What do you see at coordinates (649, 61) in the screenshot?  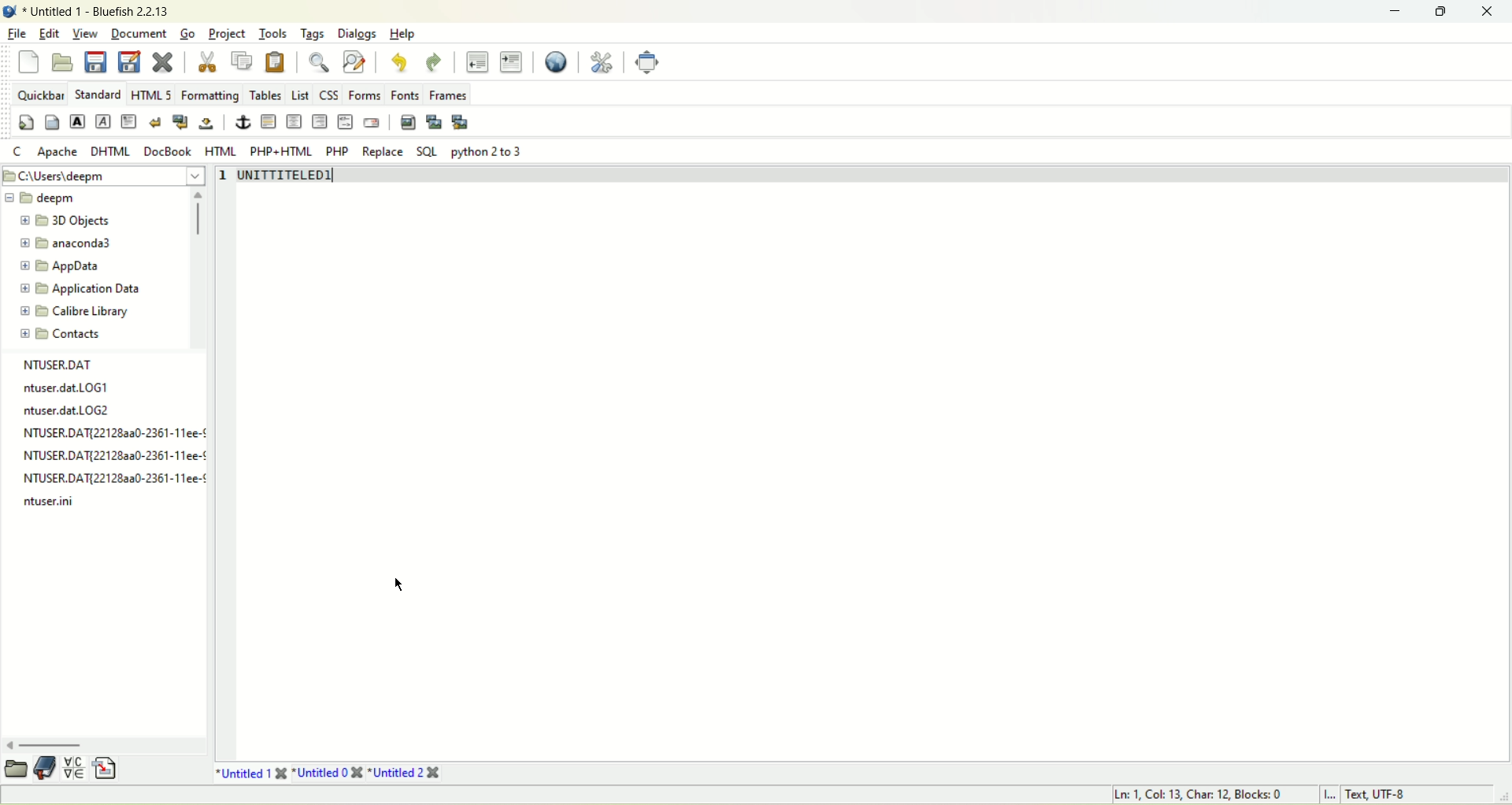 I see `fullscreen ` at bounding box center [649, 61].